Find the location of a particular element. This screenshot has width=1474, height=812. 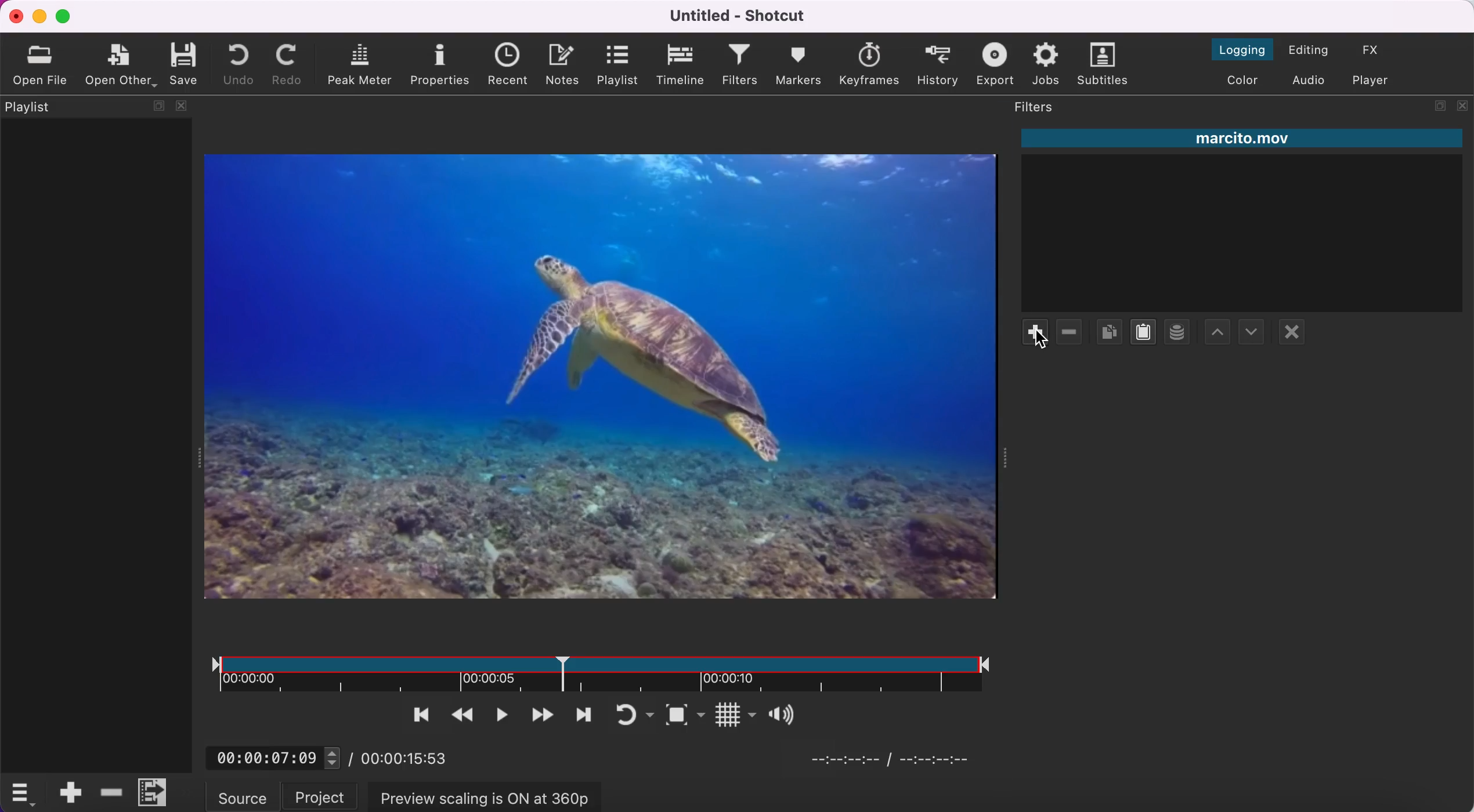

minimize is located at coordinates (39, 16).